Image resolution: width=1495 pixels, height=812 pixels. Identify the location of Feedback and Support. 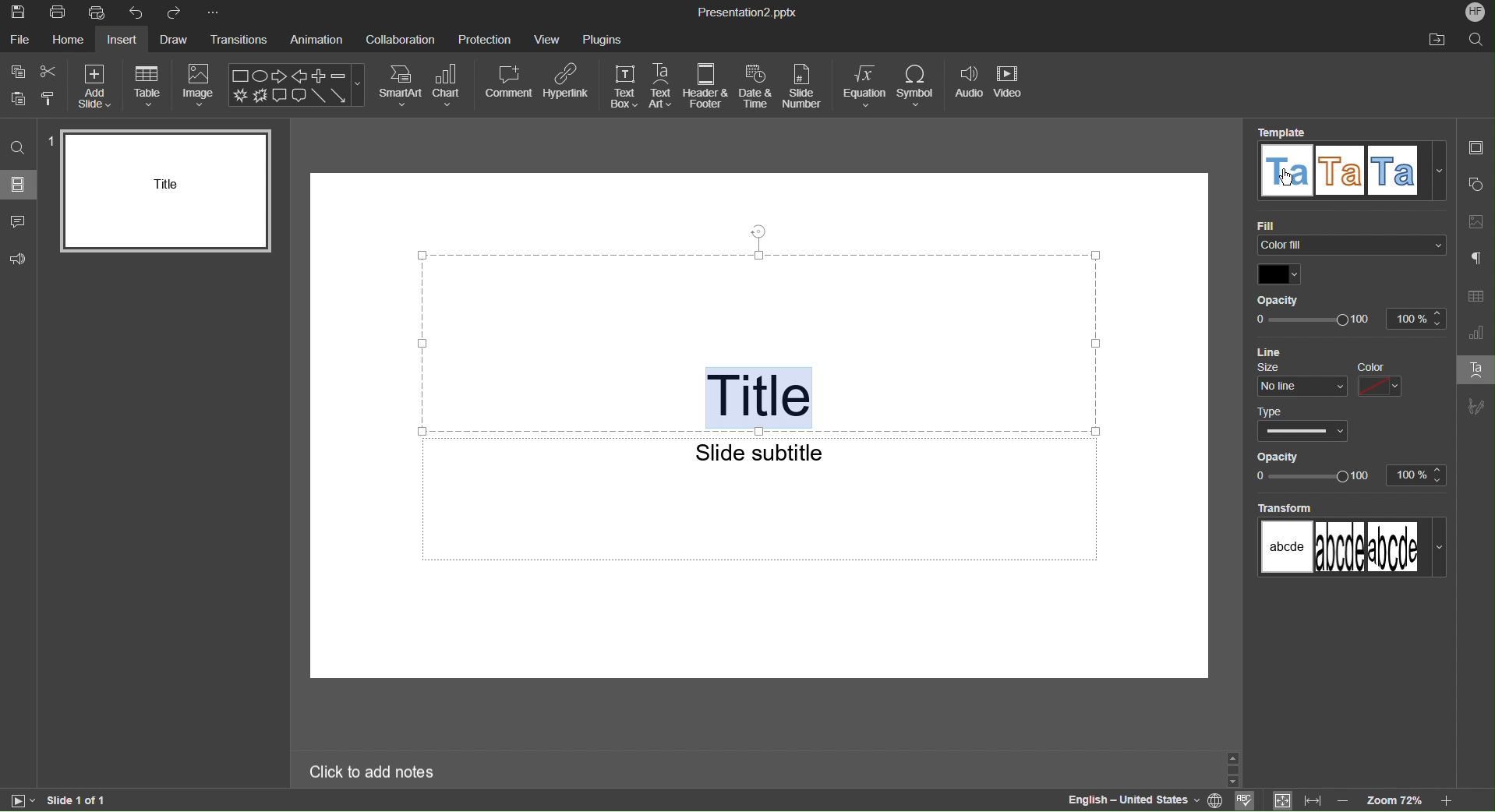
(19, 259).